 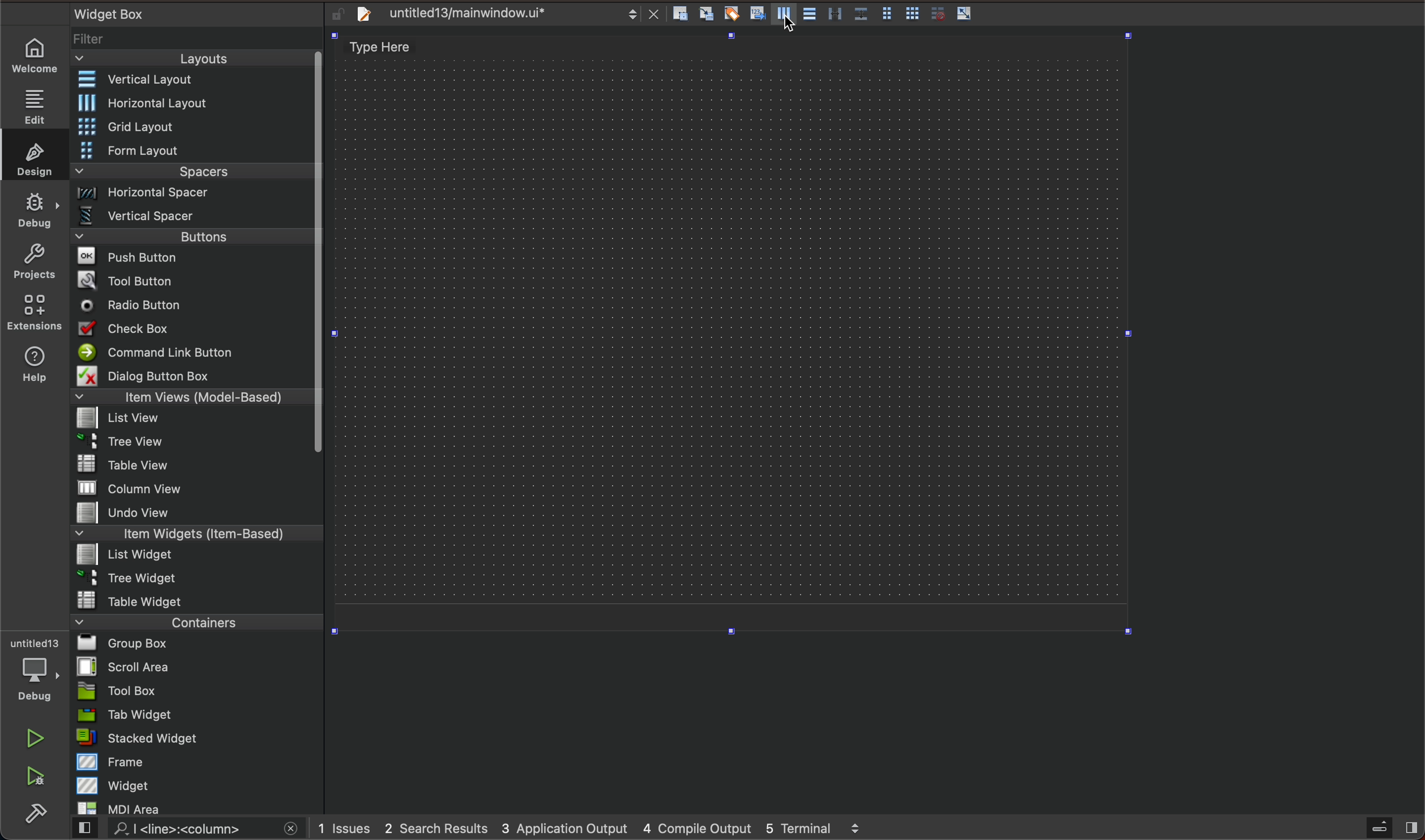 I want to click on , so click(x=36, y=738).